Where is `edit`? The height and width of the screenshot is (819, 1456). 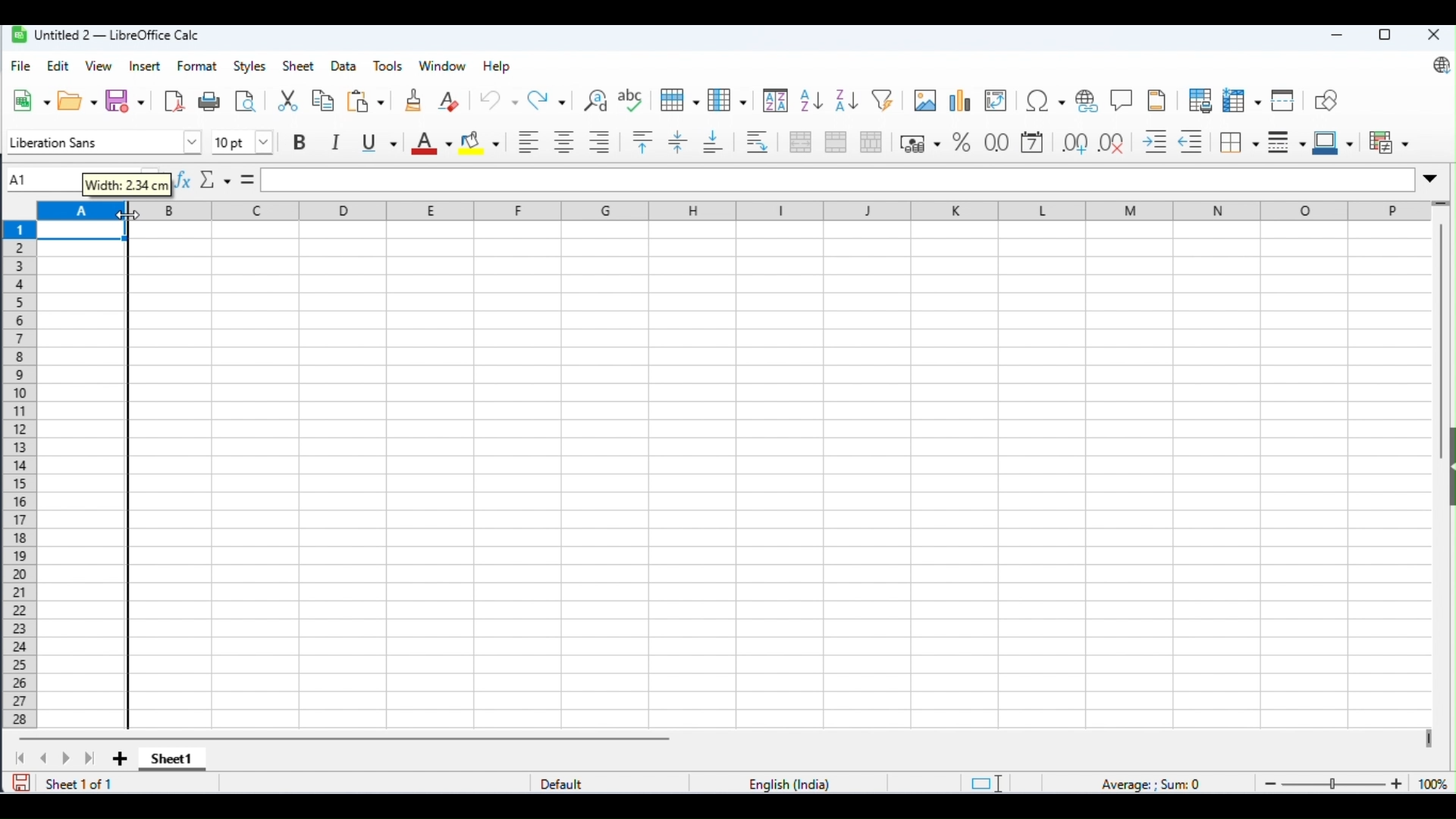
edit is located at coordinates (60, 67).